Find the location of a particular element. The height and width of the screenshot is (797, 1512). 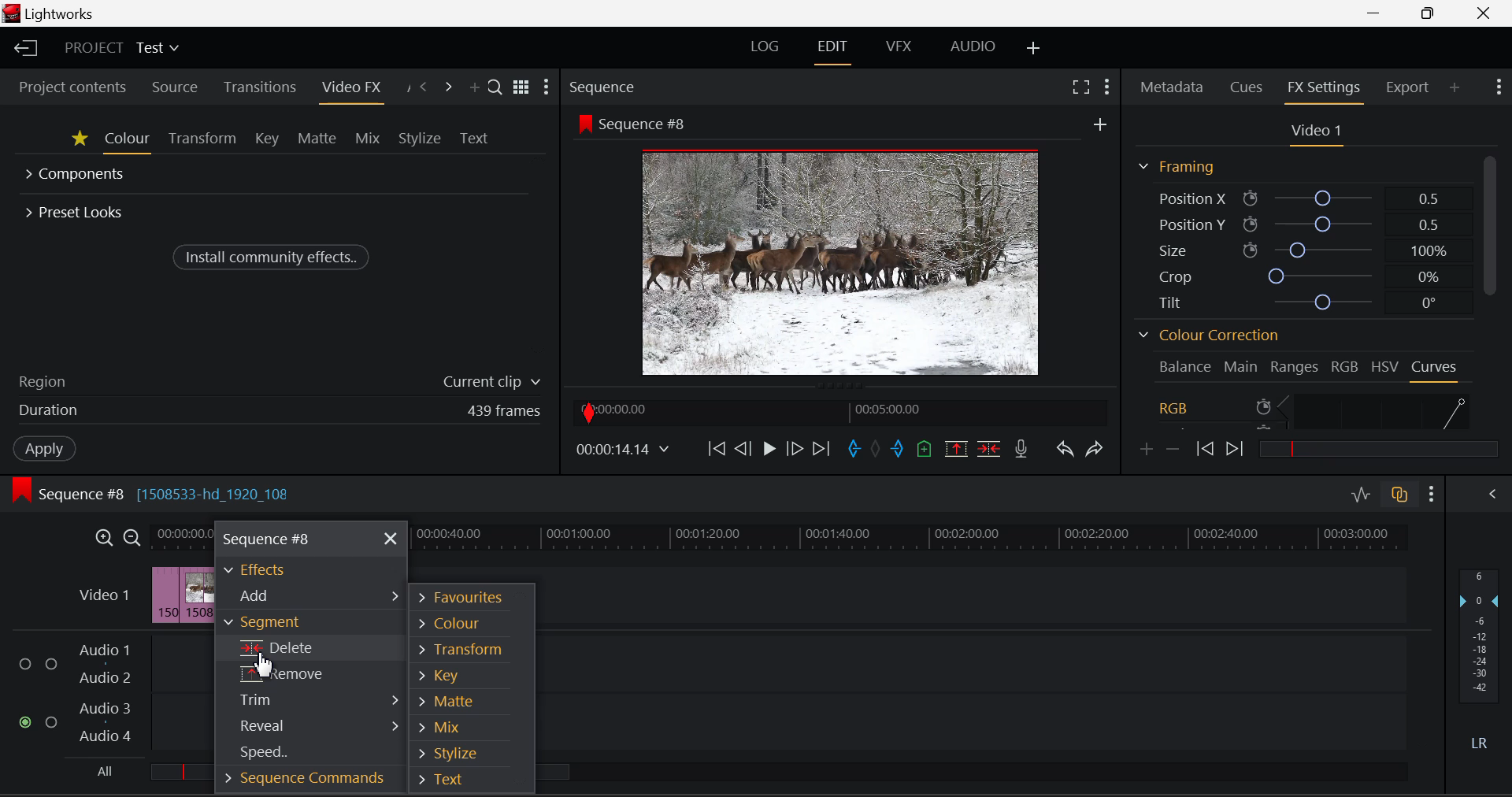

Cues is located at coordinates (1247, 87).